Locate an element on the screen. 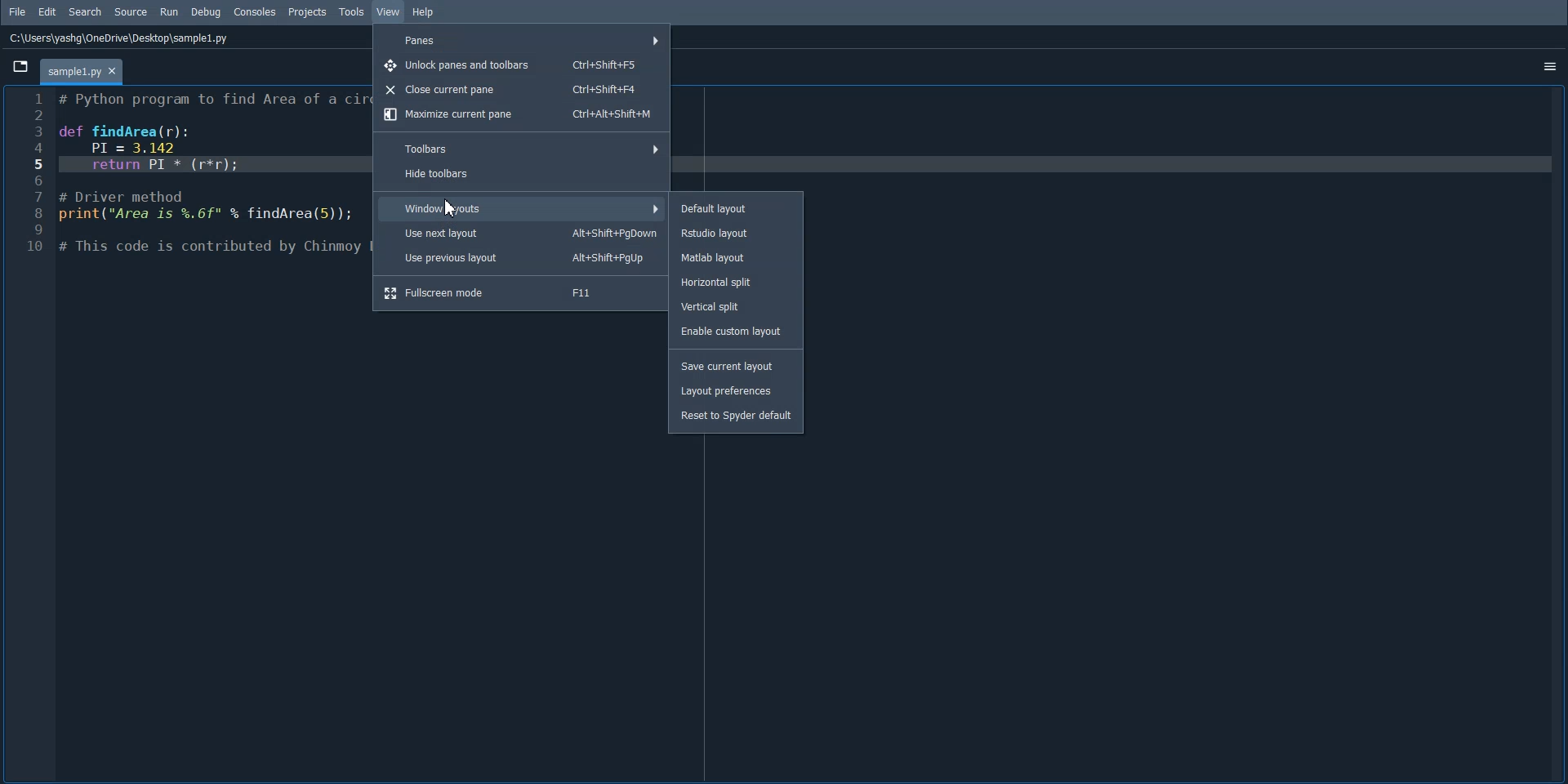  Use next layout is located at coordinates (523, 234).